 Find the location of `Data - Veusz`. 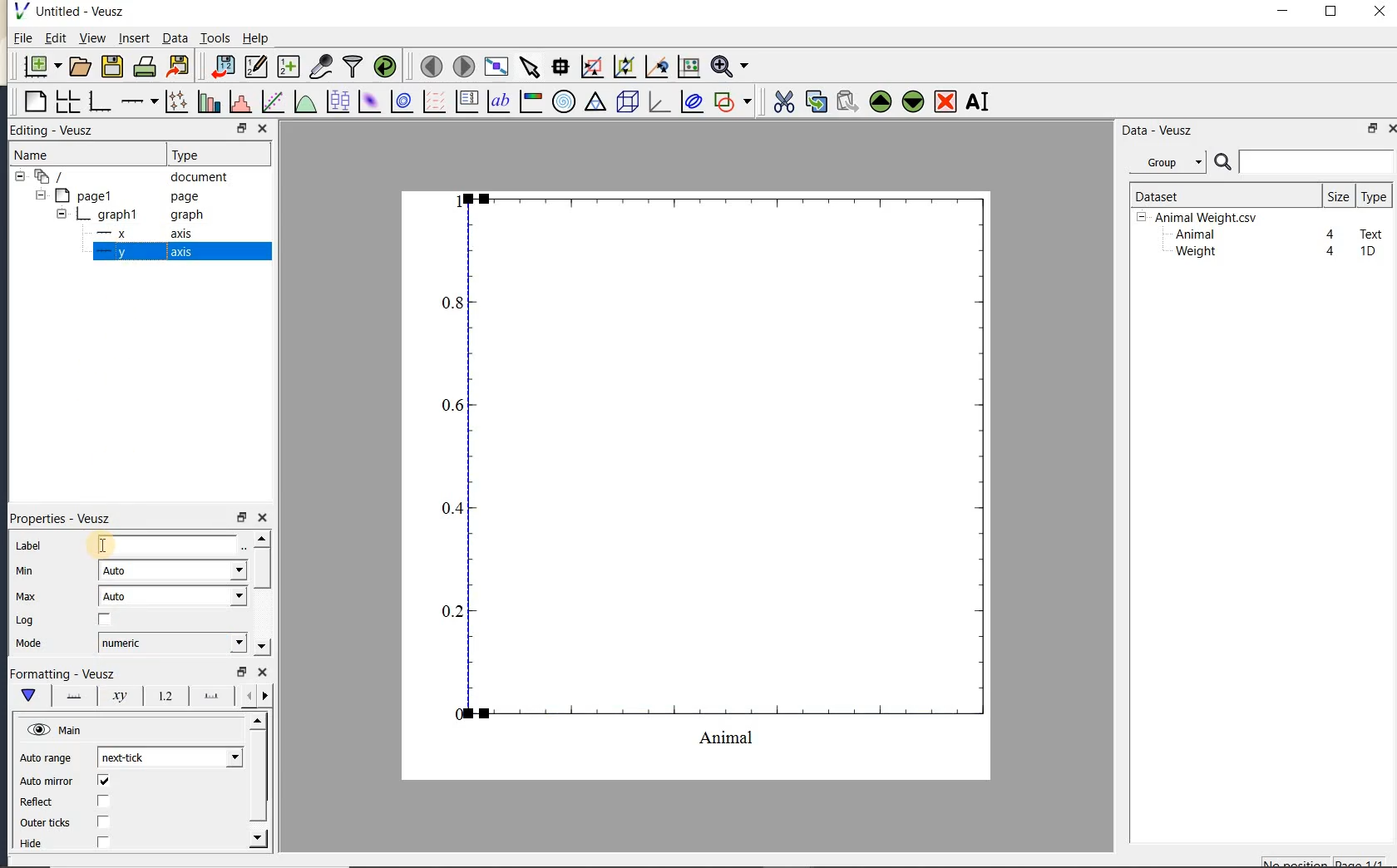

Data - Veusz is located at coordinates (1172, 163).